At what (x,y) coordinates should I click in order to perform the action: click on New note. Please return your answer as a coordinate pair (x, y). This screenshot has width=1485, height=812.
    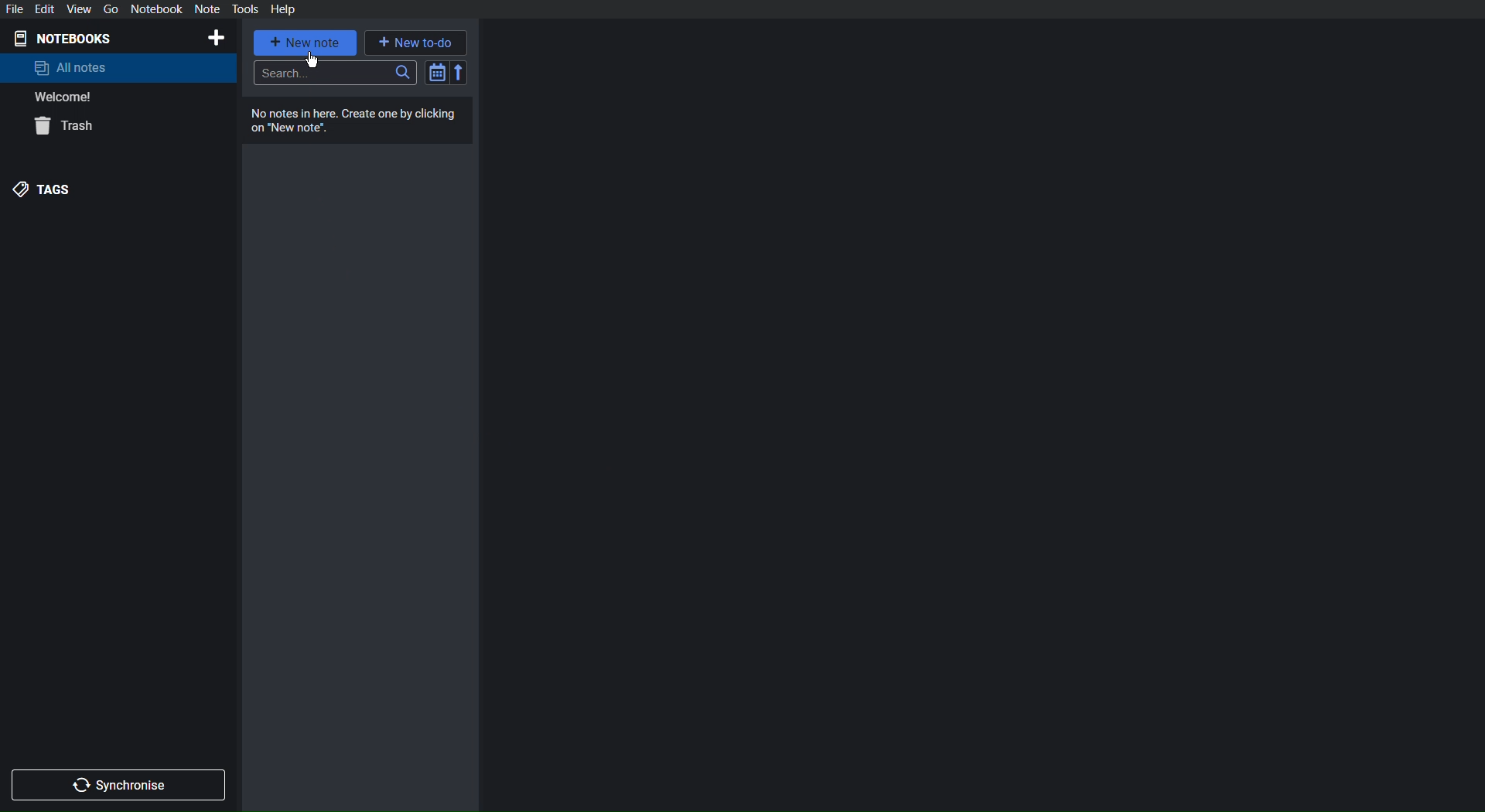
    Looking at the image, I should click on (306, 43).